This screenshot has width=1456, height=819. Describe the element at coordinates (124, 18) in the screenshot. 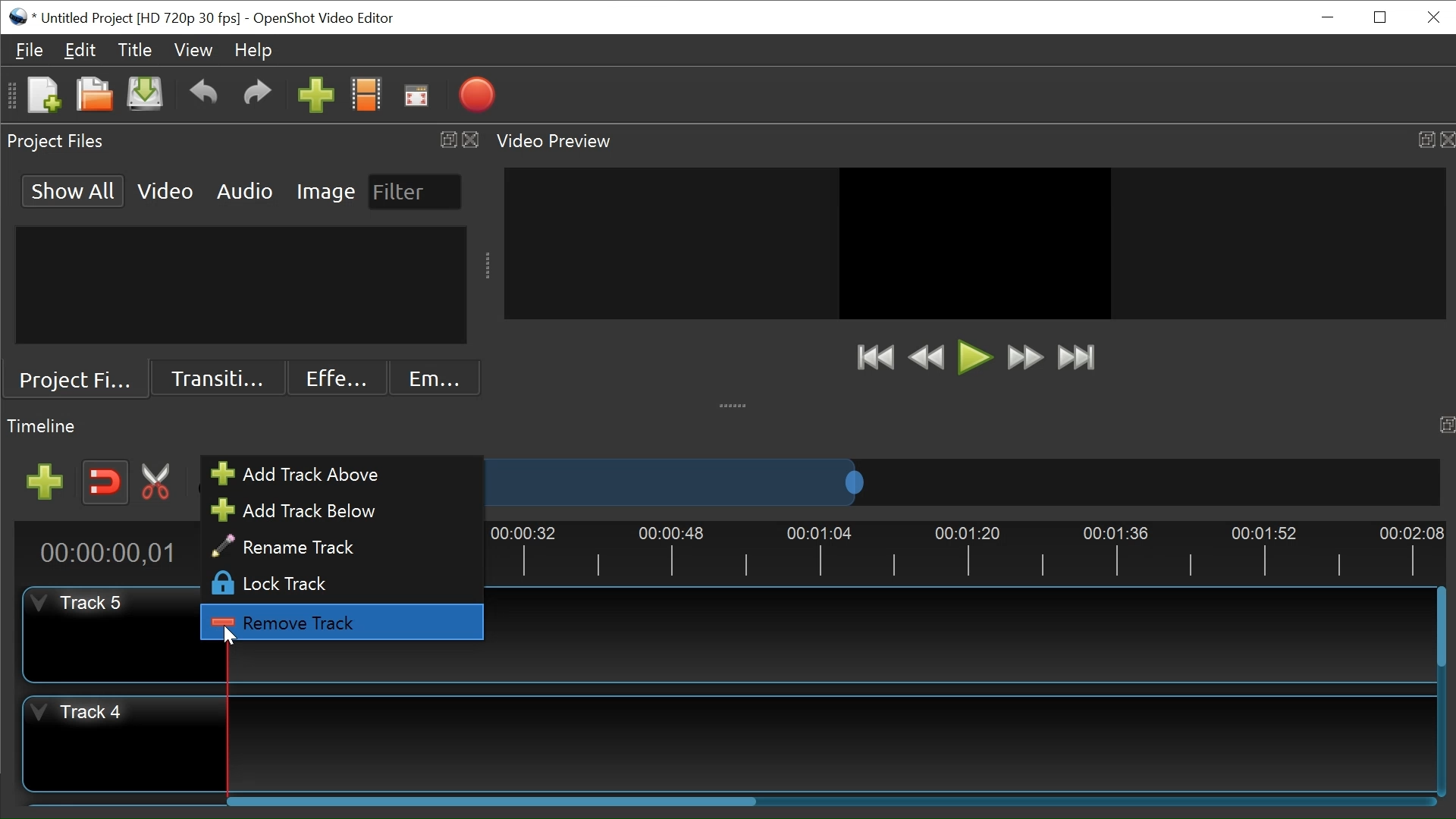

I see `File Name` at that location.